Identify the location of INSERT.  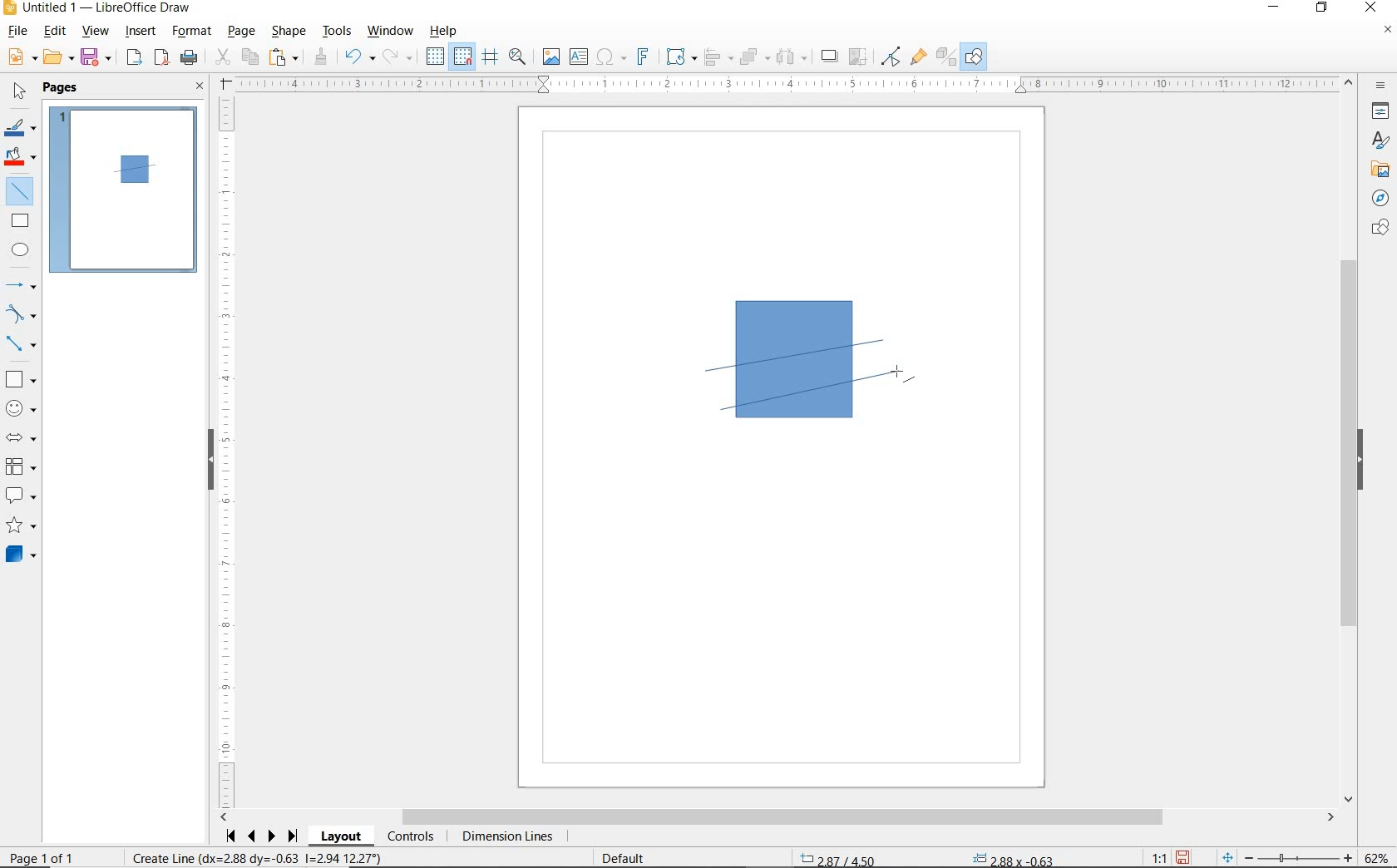
(141, 32).